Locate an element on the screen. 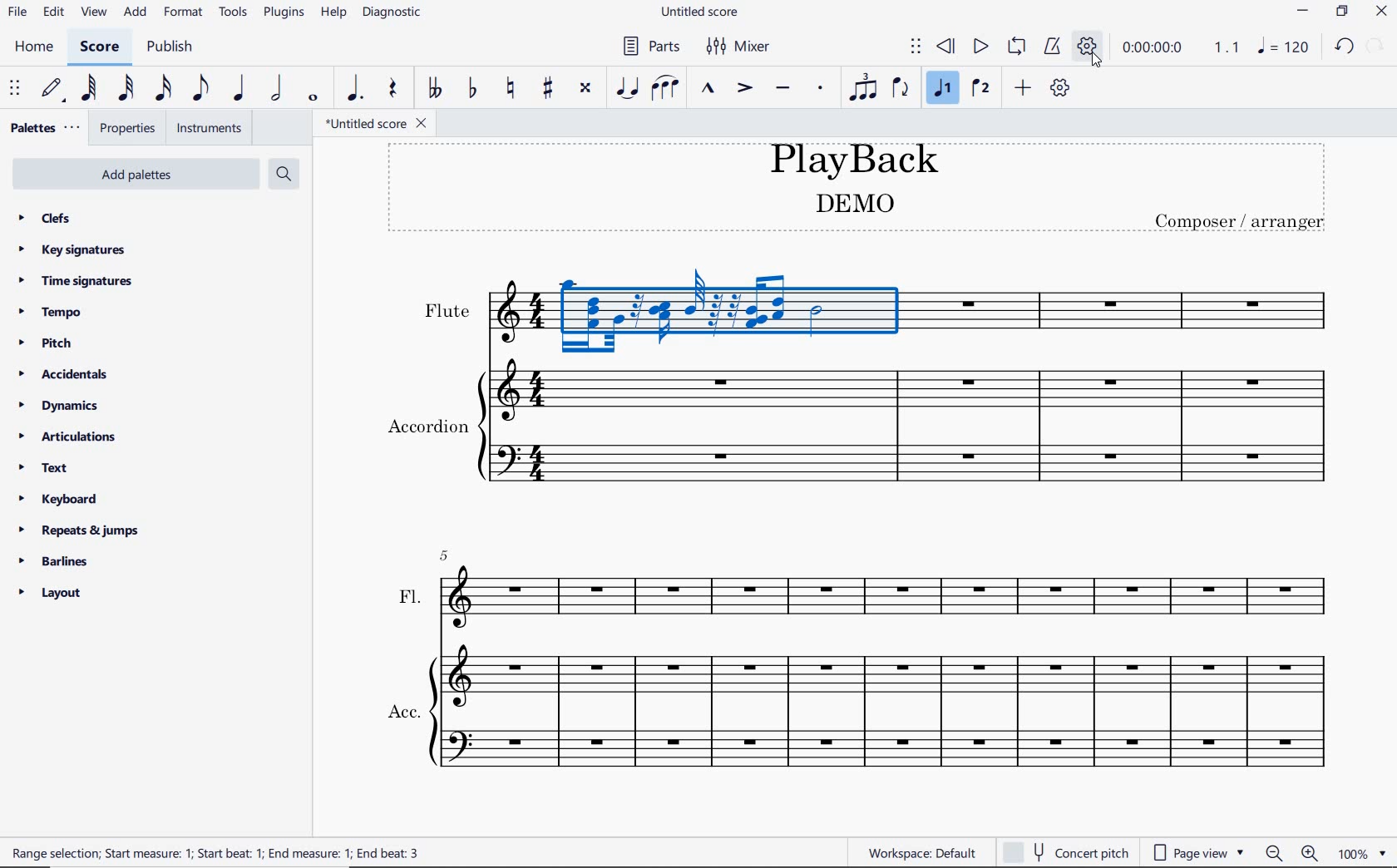 This screenshot has width=1397, height=868. restore down is located at coordinates (1343, 11).